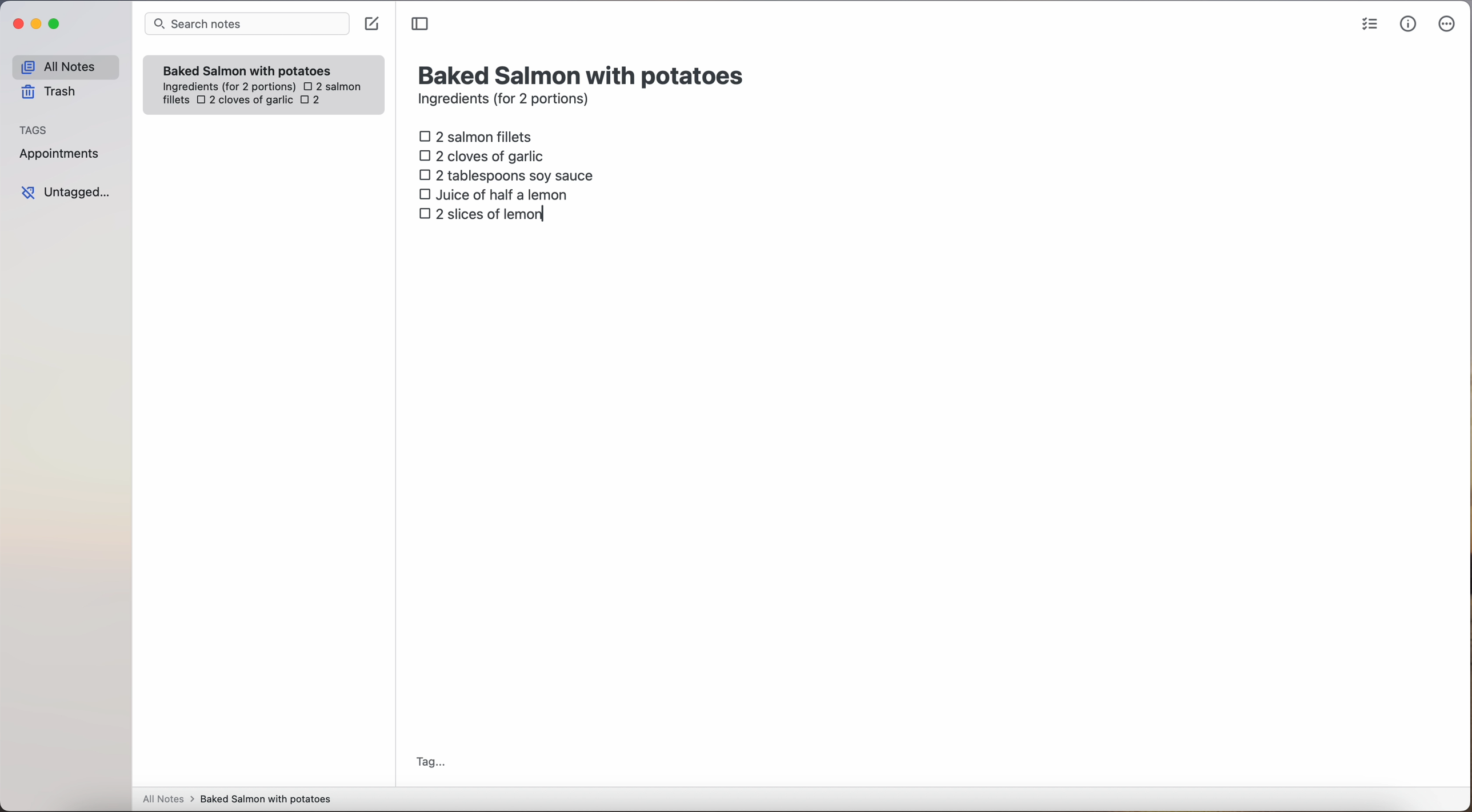 The image size is (1472, 812). Describe the element at coordinates (237, 798) in the screenshot. I see `all notes > baked Salmon with potatoes` at that location.